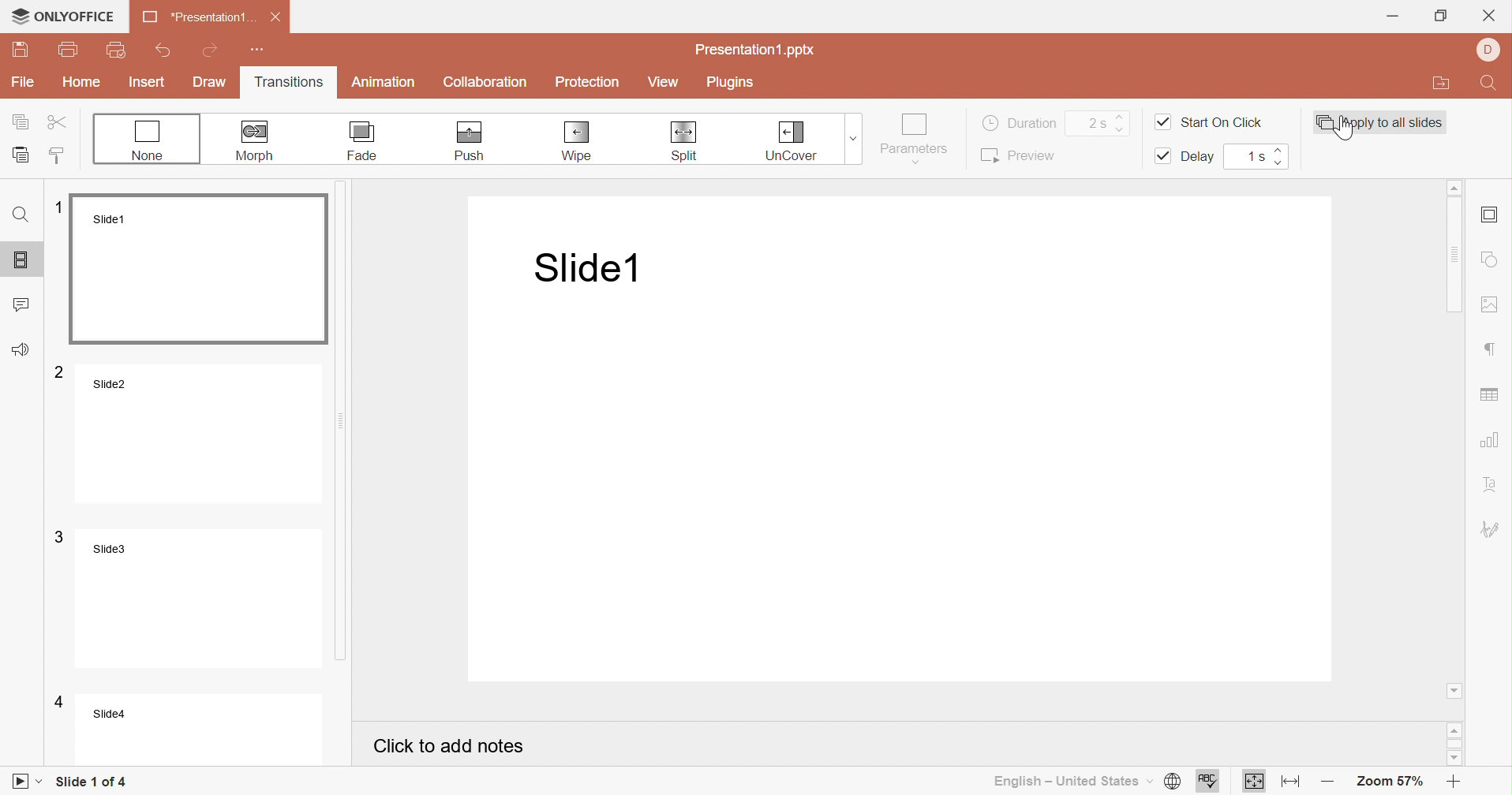 This screenshot has width=1512, height=795. Describe the element at coordinates (486, 83) in the screenshot. I see `Collaboration` at that location.